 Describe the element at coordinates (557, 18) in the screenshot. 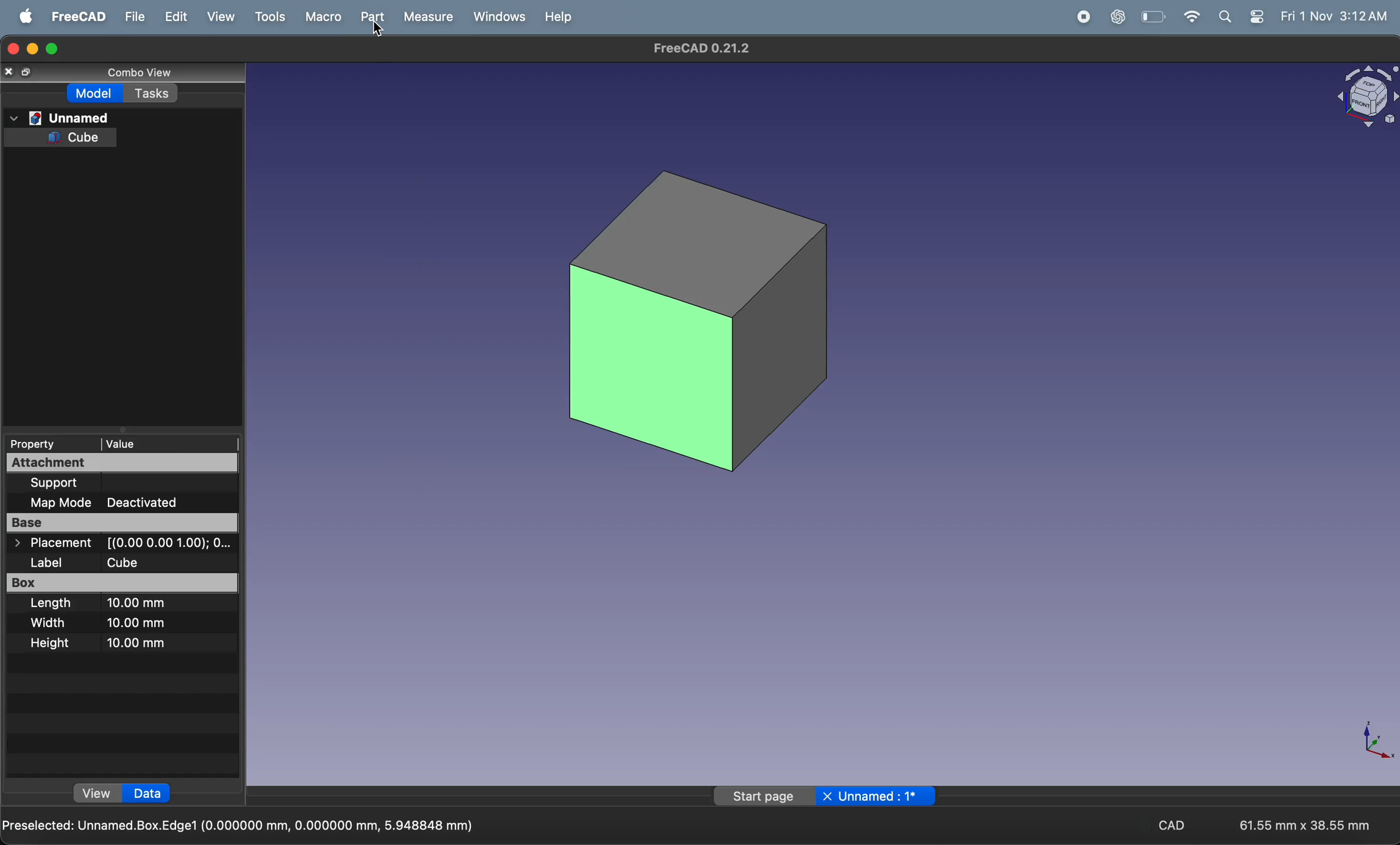

I see `help` at that location.